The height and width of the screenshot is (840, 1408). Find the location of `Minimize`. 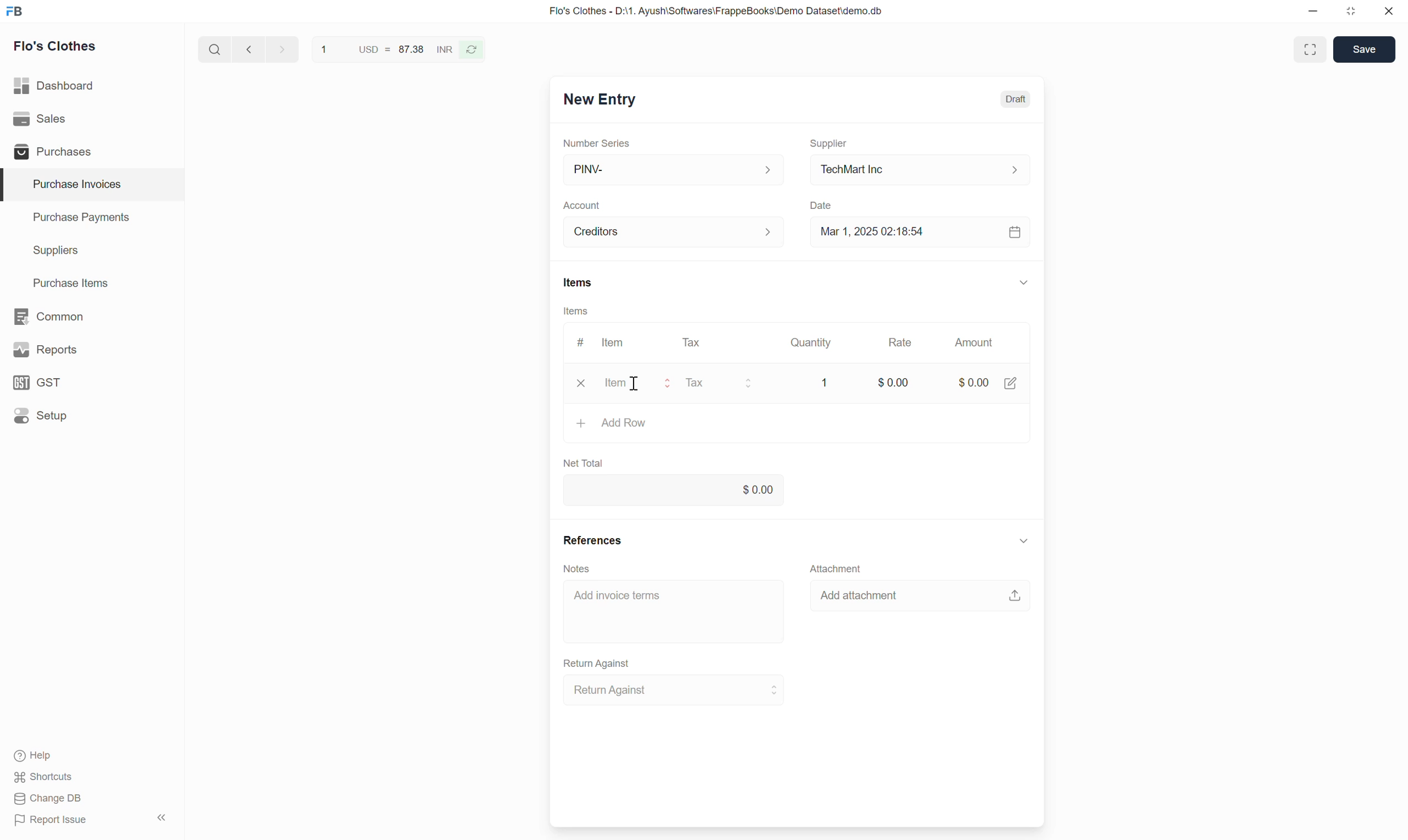

Minimize is located at coordinates (1313, 11).